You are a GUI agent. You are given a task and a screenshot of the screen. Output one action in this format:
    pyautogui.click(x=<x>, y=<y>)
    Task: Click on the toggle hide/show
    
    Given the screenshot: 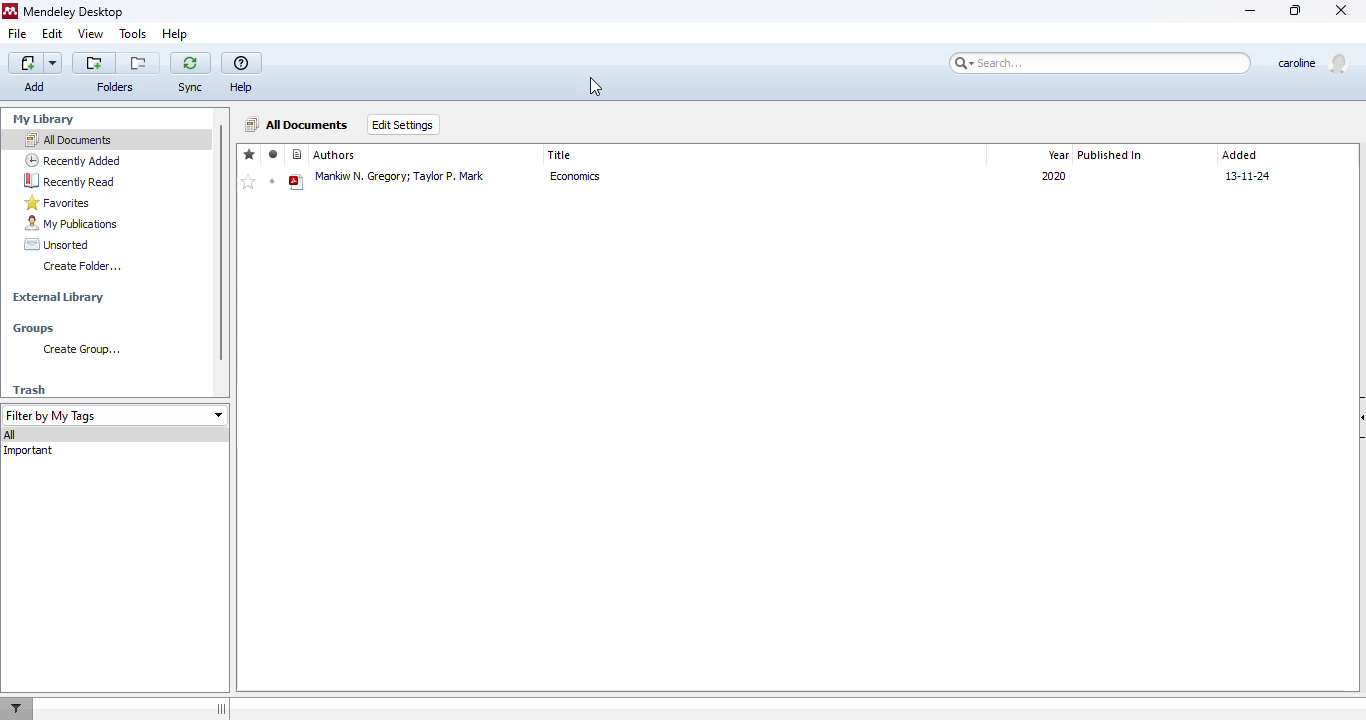 What is the action you would take?
    pyautogui.click(x=223, y=707)
    